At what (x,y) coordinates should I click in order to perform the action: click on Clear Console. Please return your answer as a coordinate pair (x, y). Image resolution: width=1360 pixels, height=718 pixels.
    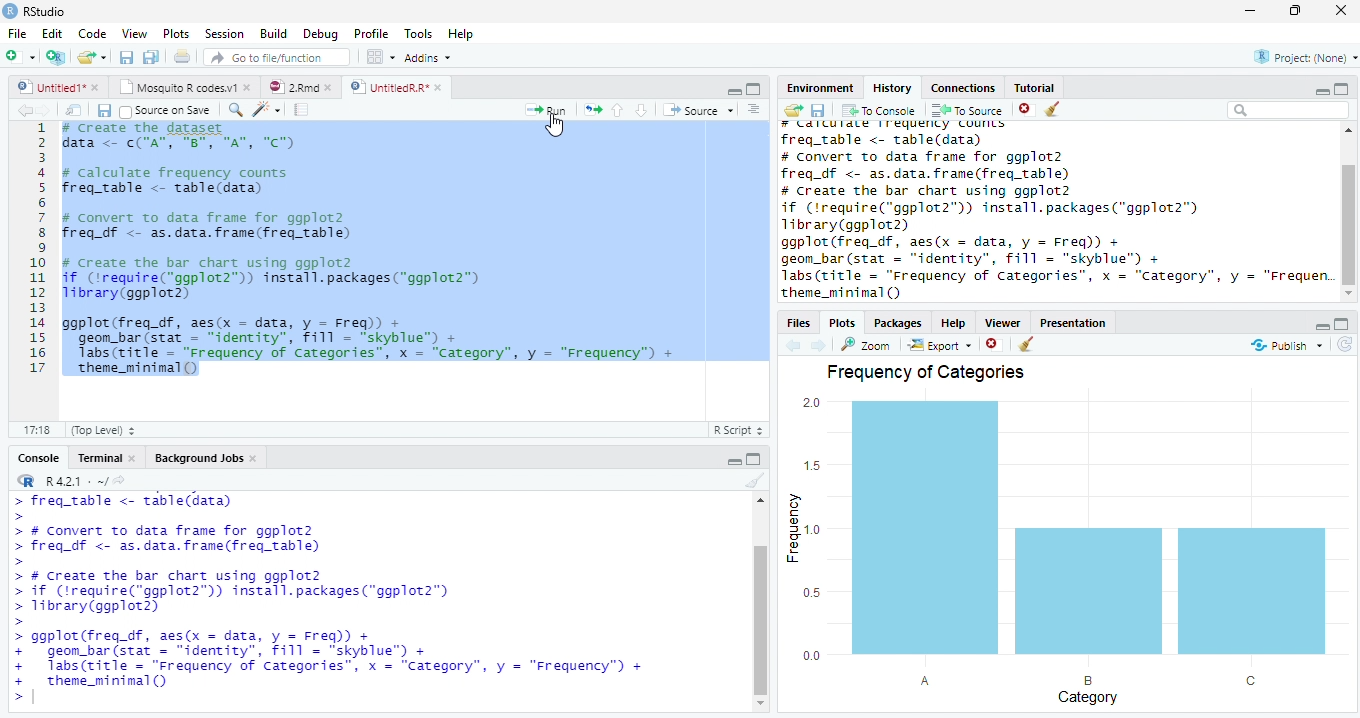
    Looking at the image, I should click on (753, 482).